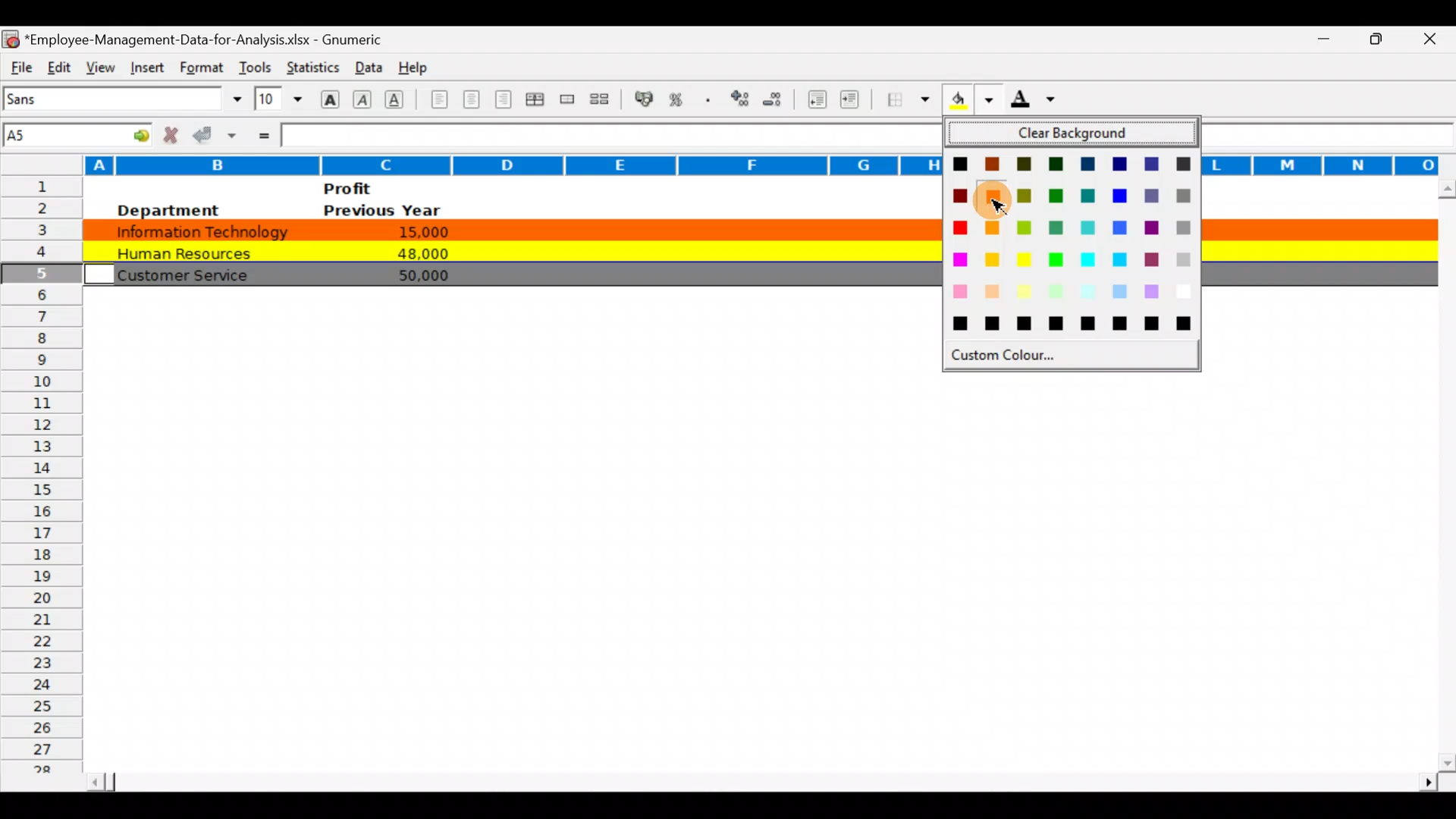 Image resolution: width=1456 pixels, height=819 pixels. What do you see at coordinates (365, 64) in the screenshot?
I see `Data` at bounding box center [365, 64].